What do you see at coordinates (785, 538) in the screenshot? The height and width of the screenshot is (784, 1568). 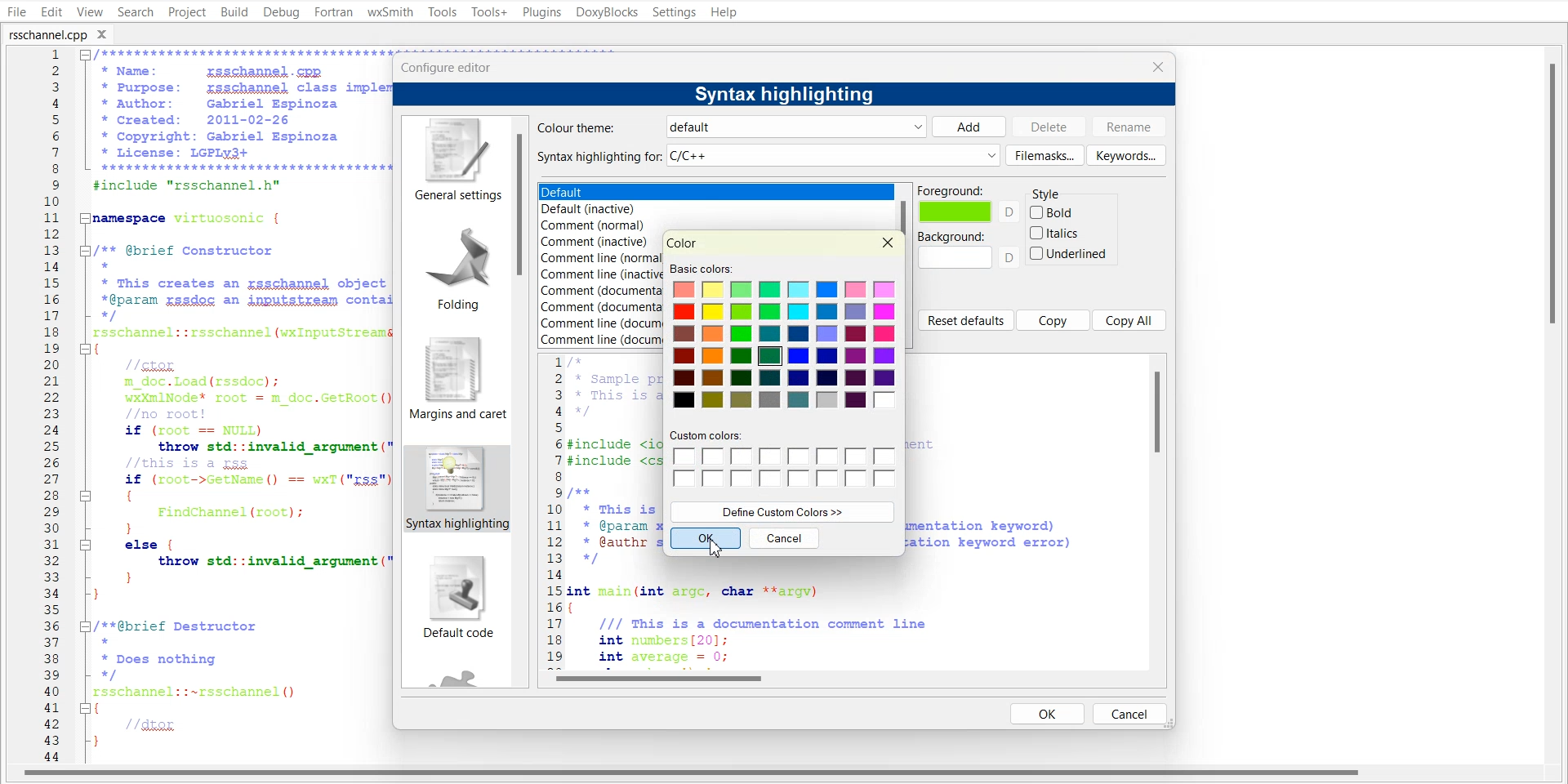 I see `Cancel` at bounding box center [785, 538].